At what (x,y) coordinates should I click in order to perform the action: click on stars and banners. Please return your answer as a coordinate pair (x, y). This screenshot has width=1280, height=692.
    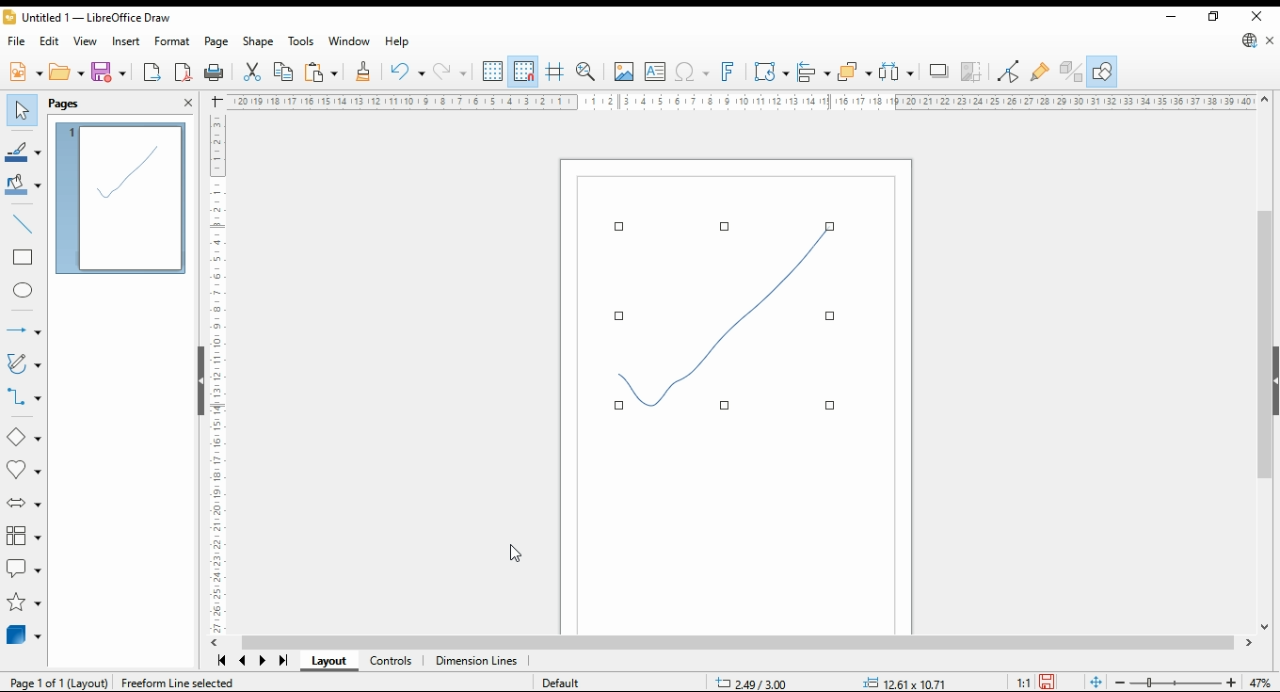
    Looking at the image, I should click on (24, 602).